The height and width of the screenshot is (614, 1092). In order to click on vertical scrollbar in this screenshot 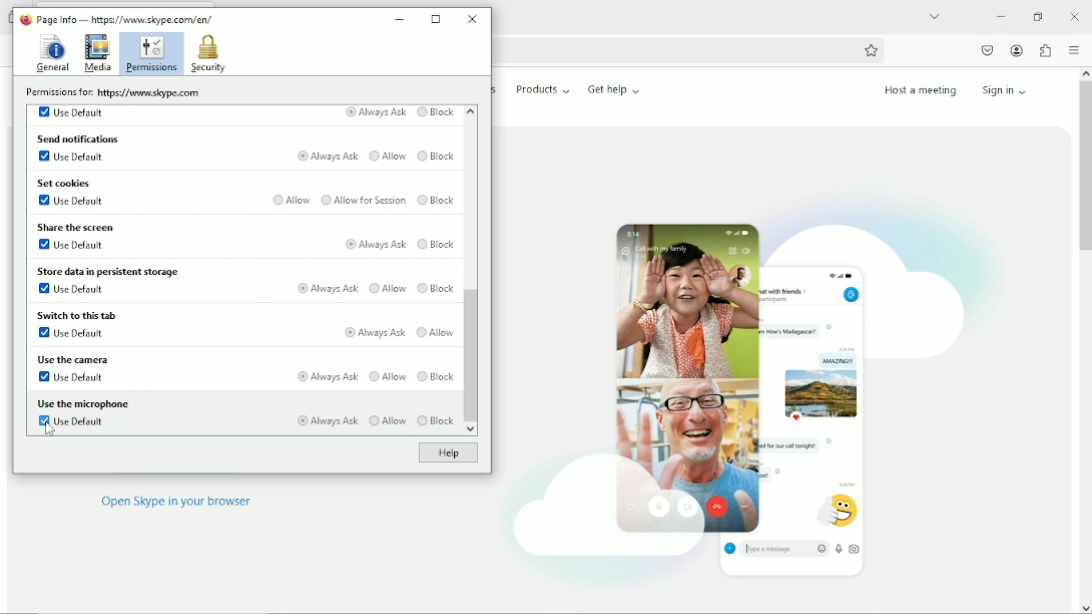, I will do `click(1083, 168)`.